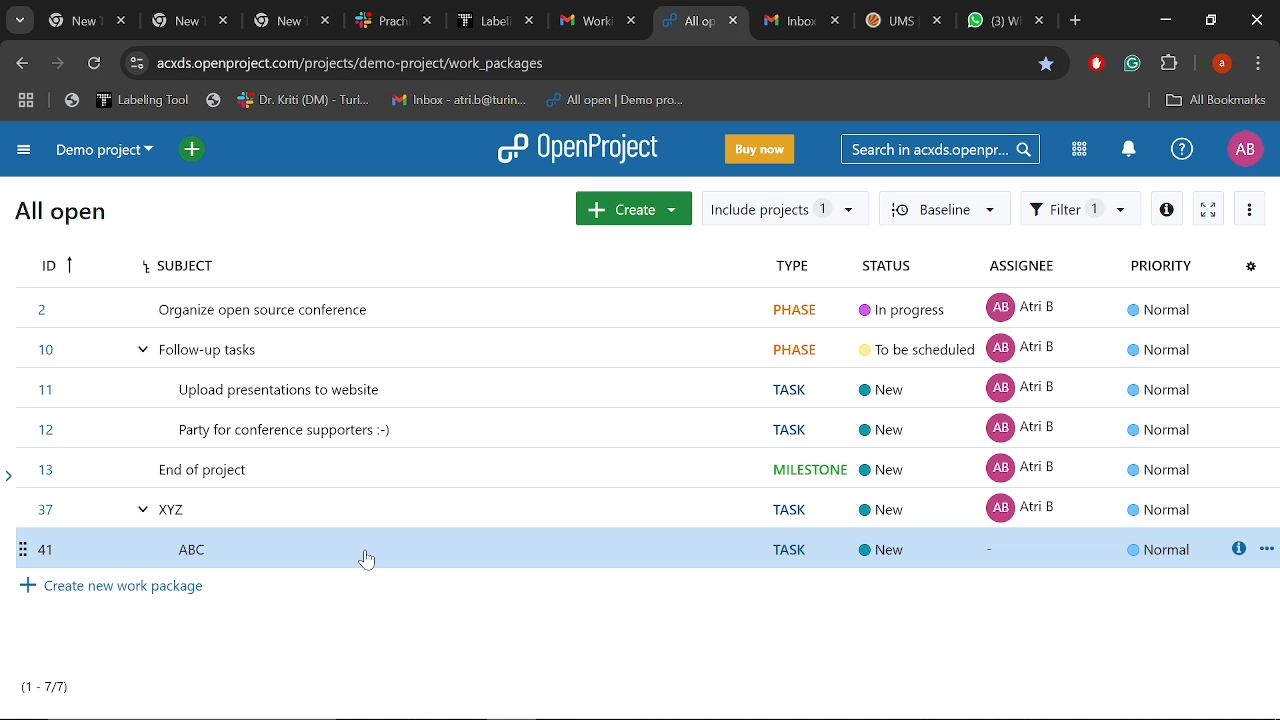 Image resolution: width=1280 pixels, height=720 pixels. I want to click on Add new tab, so click(1077, 23).